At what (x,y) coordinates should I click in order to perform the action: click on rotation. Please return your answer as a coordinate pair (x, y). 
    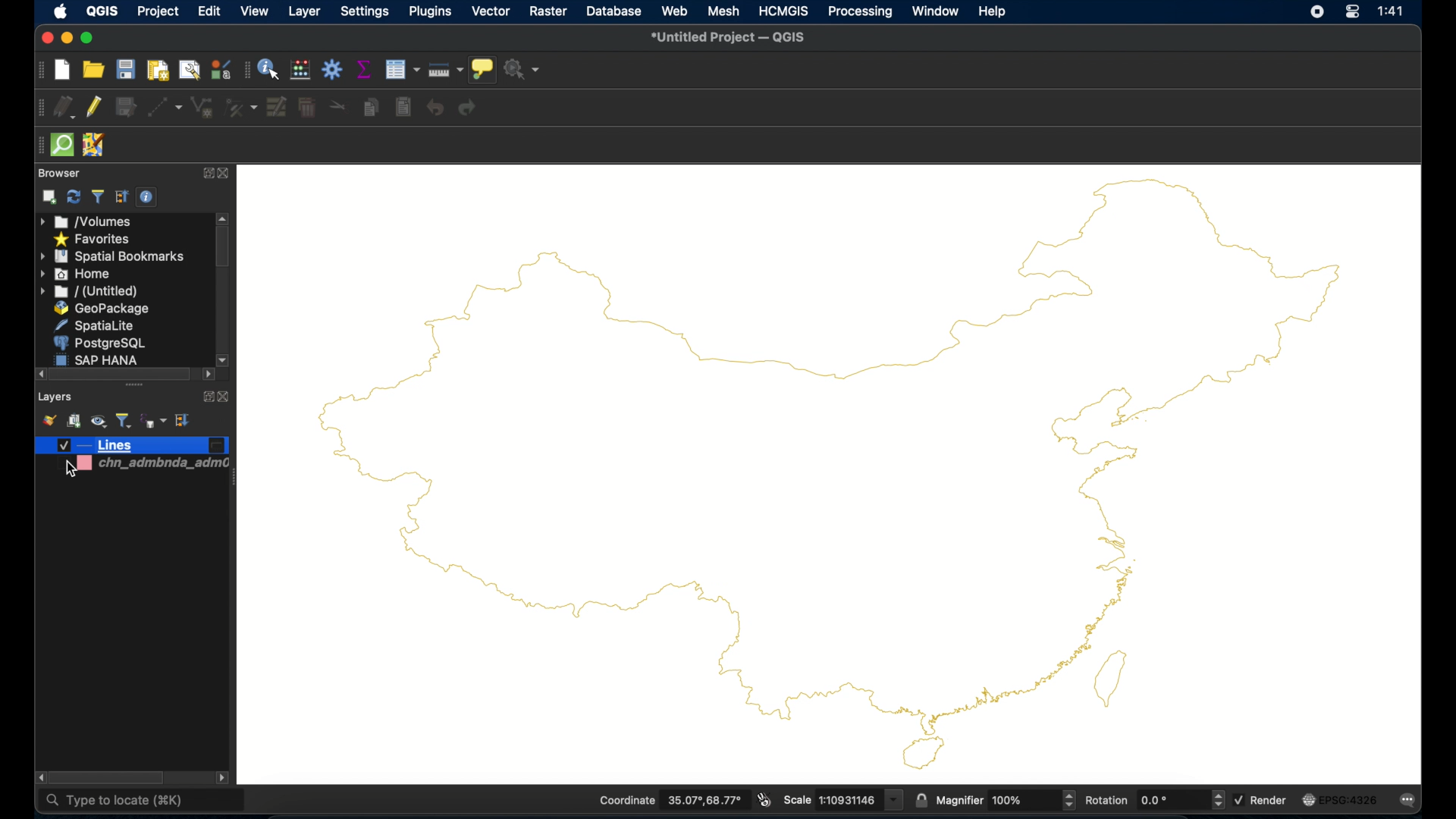
    Looking at the image, I should click on (1153, 799).